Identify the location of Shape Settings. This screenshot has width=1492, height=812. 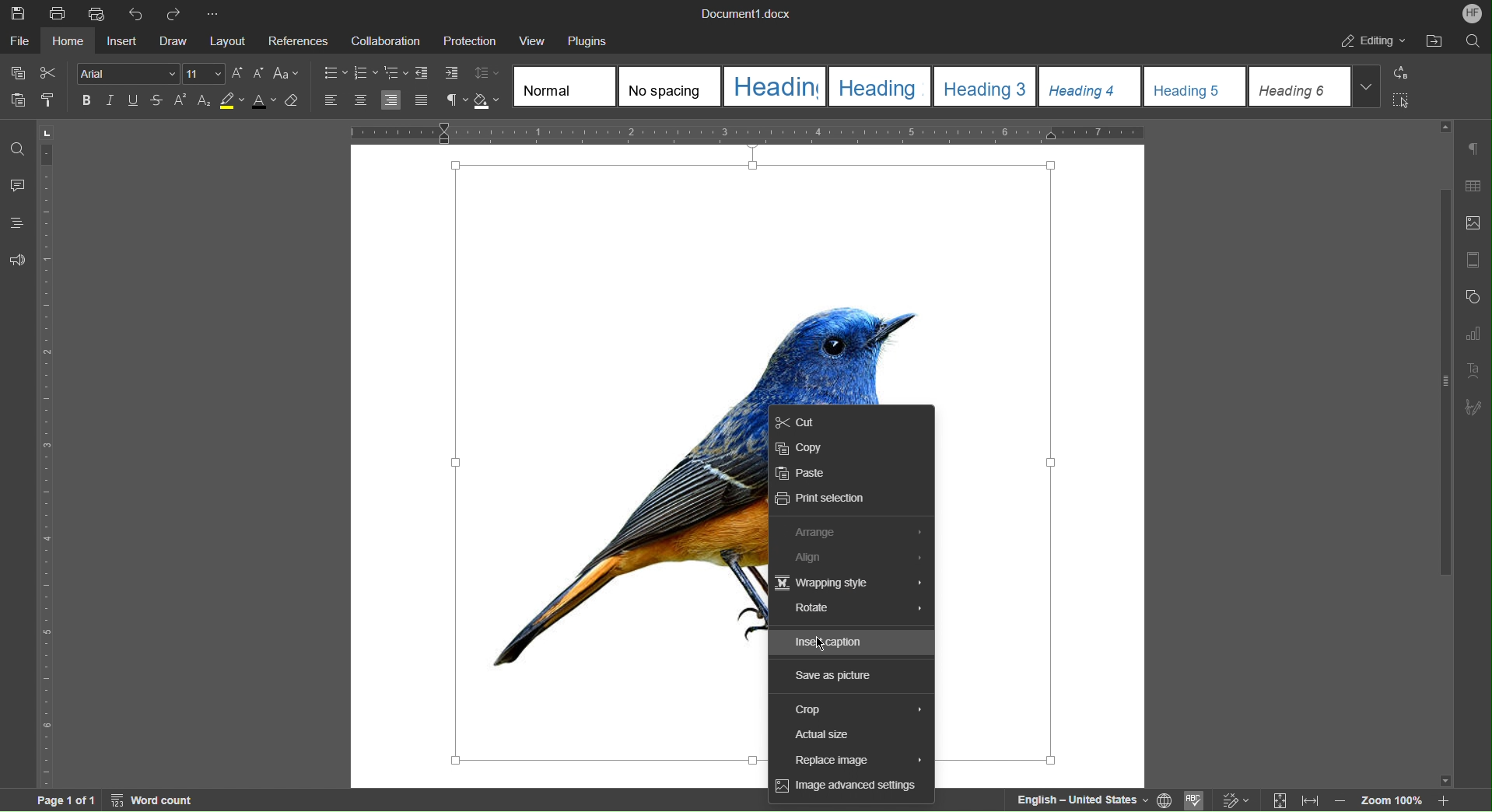
(1472, 295).